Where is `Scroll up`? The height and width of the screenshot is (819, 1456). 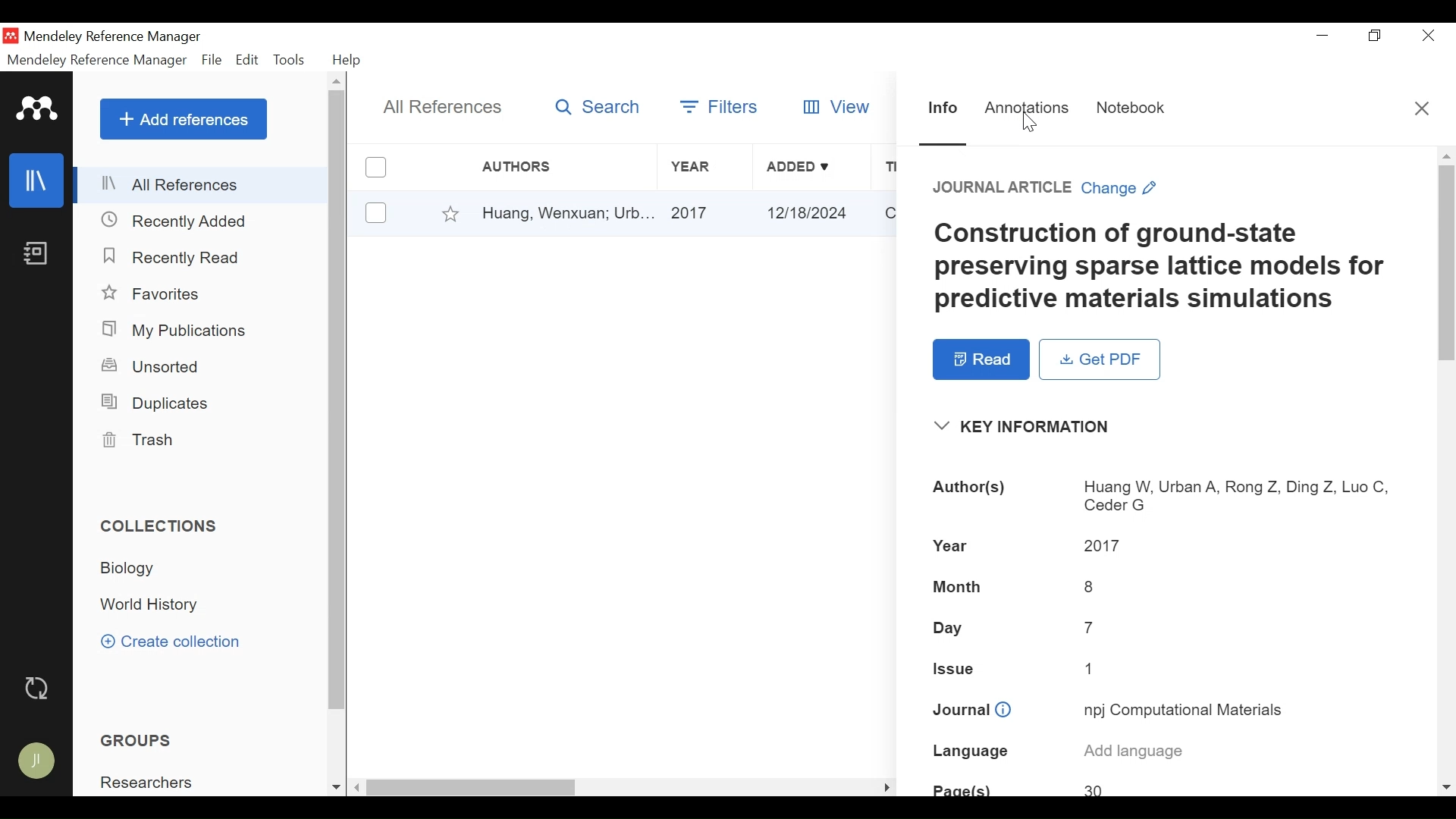 Scroll up is located at coordinates (1447, 155).